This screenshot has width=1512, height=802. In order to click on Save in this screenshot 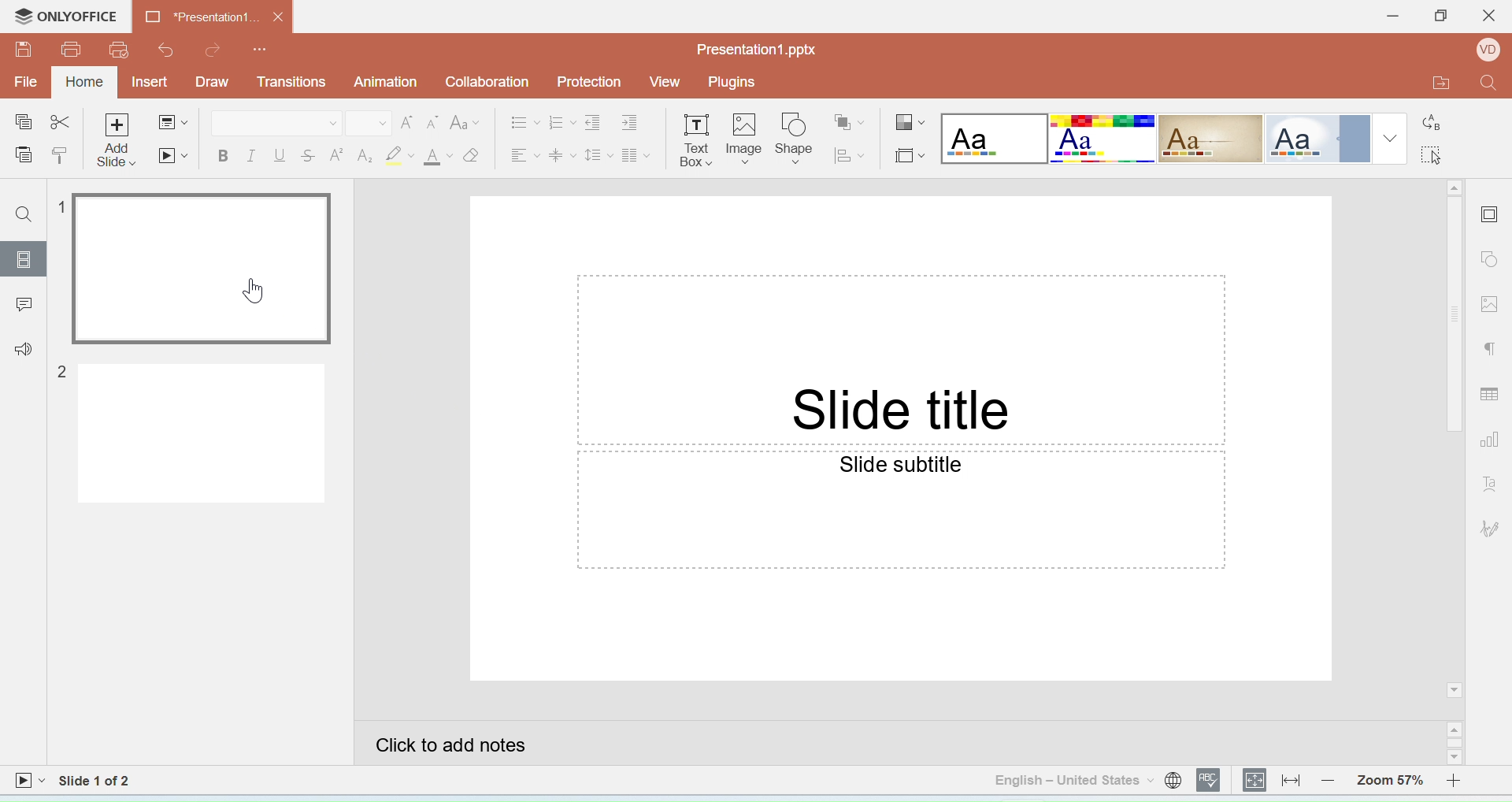, I will do `click(24, 49)`.